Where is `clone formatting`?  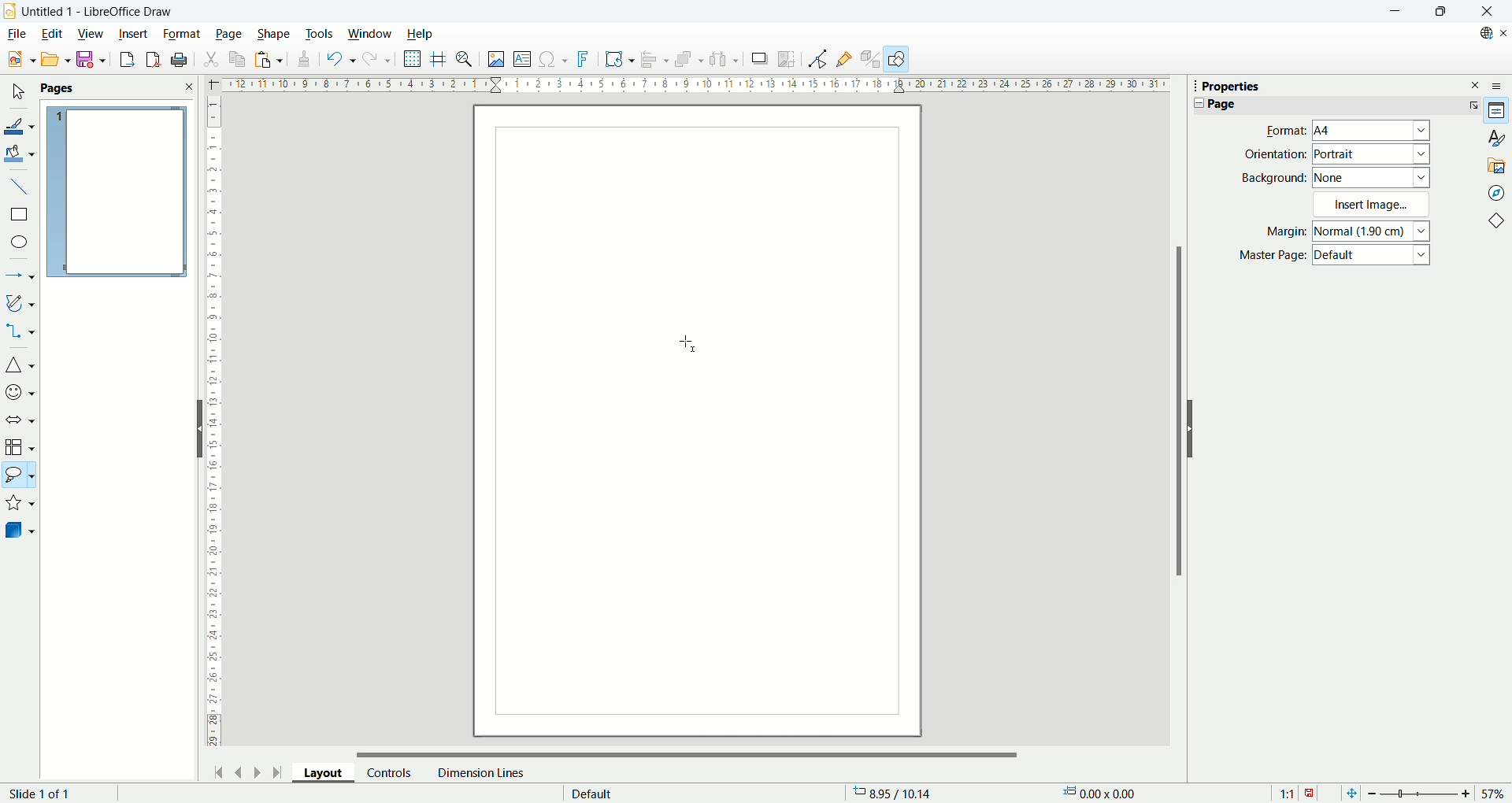
clone formatting is located at coordinates (302, 60).